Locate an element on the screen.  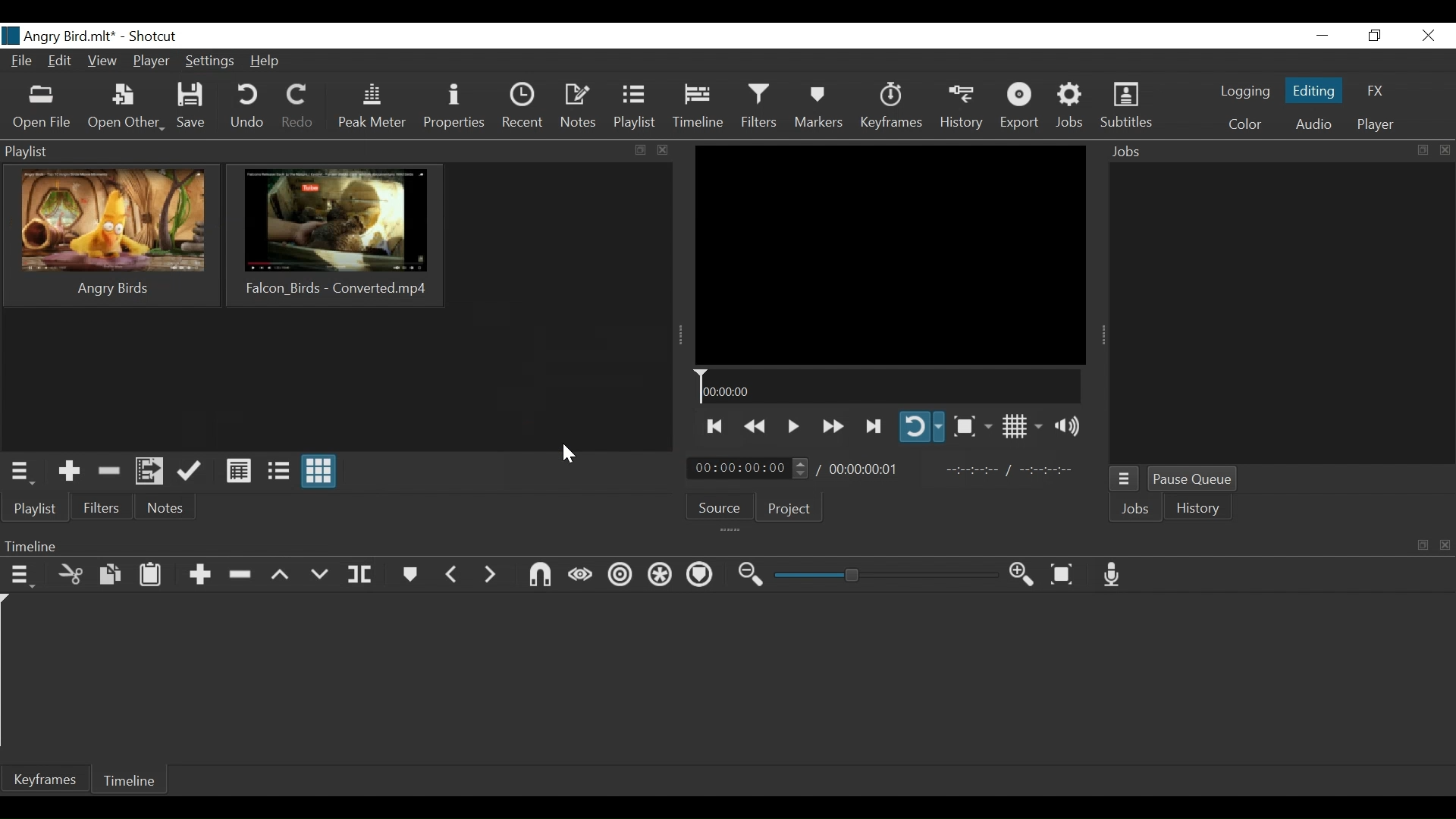
Cut is located at coordinates (71, 576).